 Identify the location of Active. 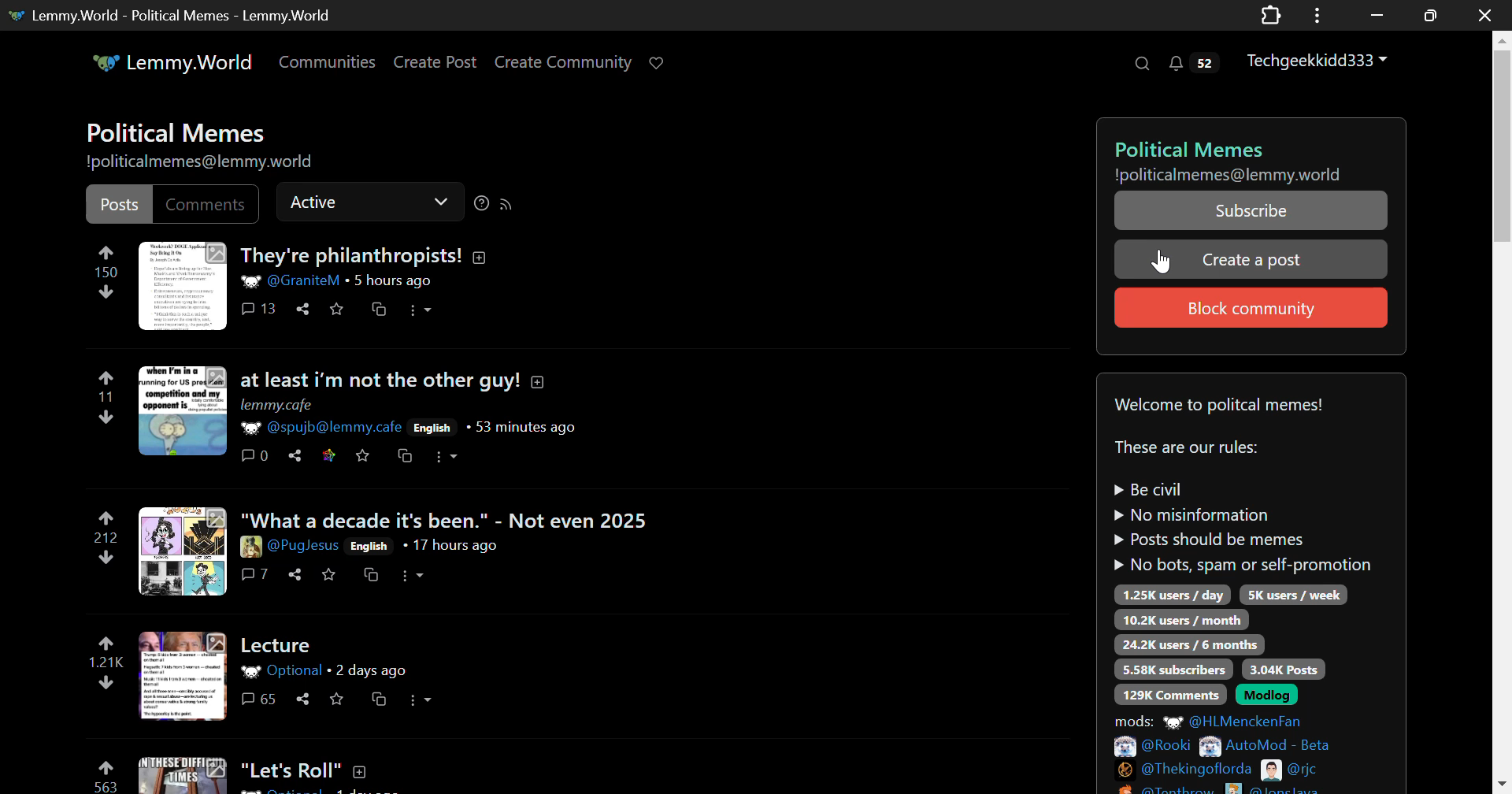
(365, 202).